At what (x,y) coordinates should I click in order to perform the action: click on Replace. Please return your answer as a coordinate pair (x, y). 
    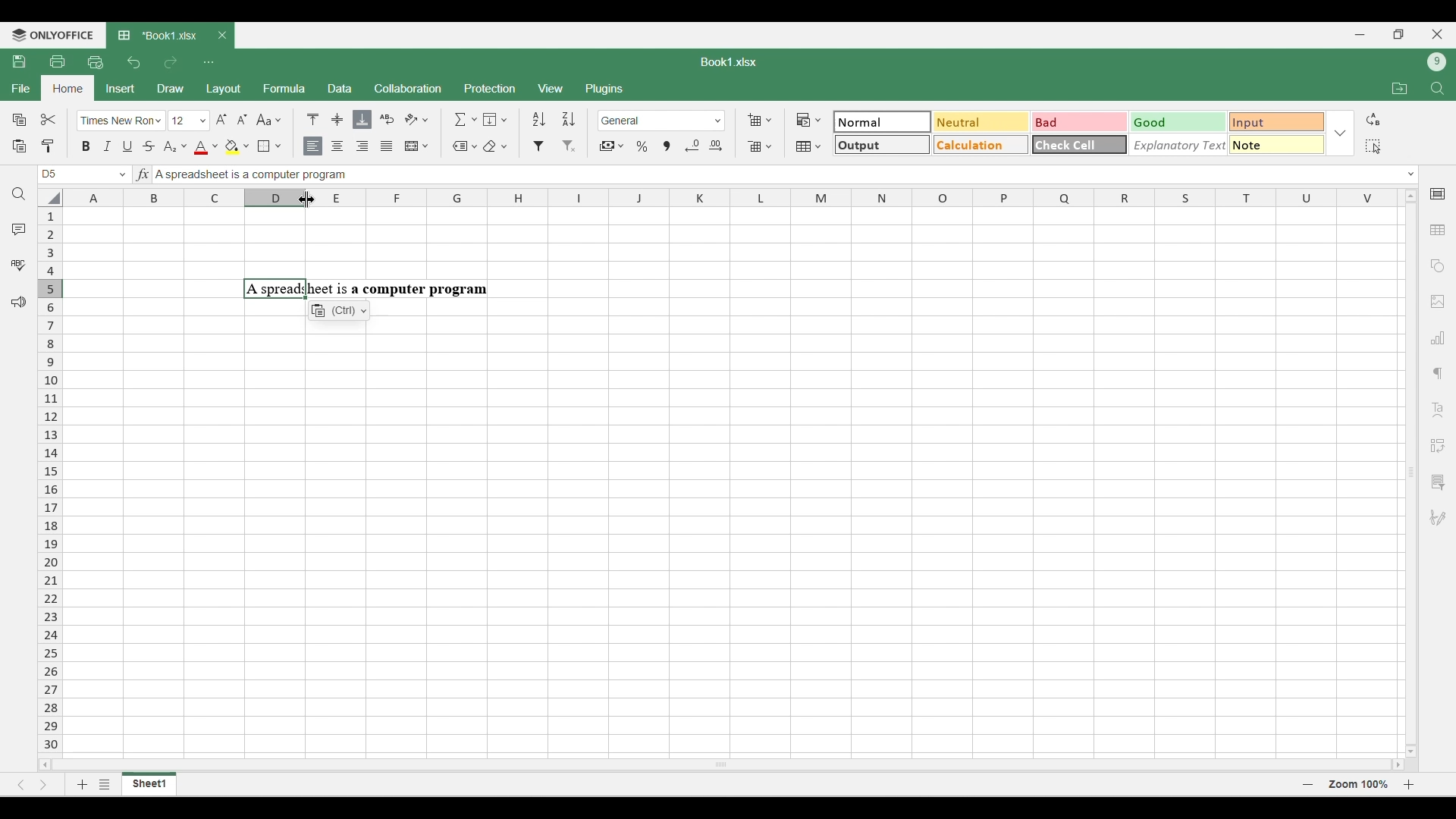
    Looking at the image, I should click on (1373, 119).